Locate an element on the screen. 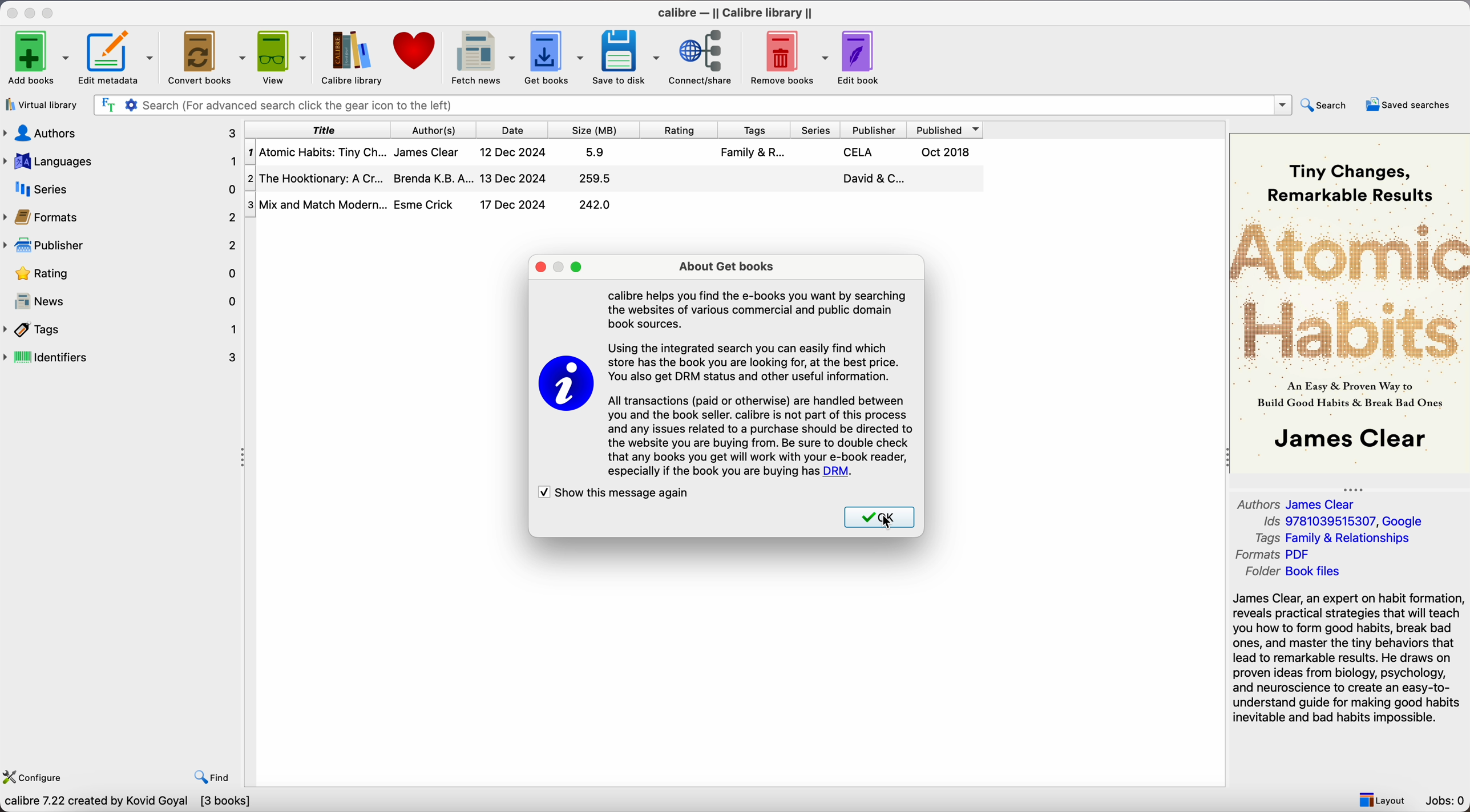  Family & R... is located at coordinates (754, 152).